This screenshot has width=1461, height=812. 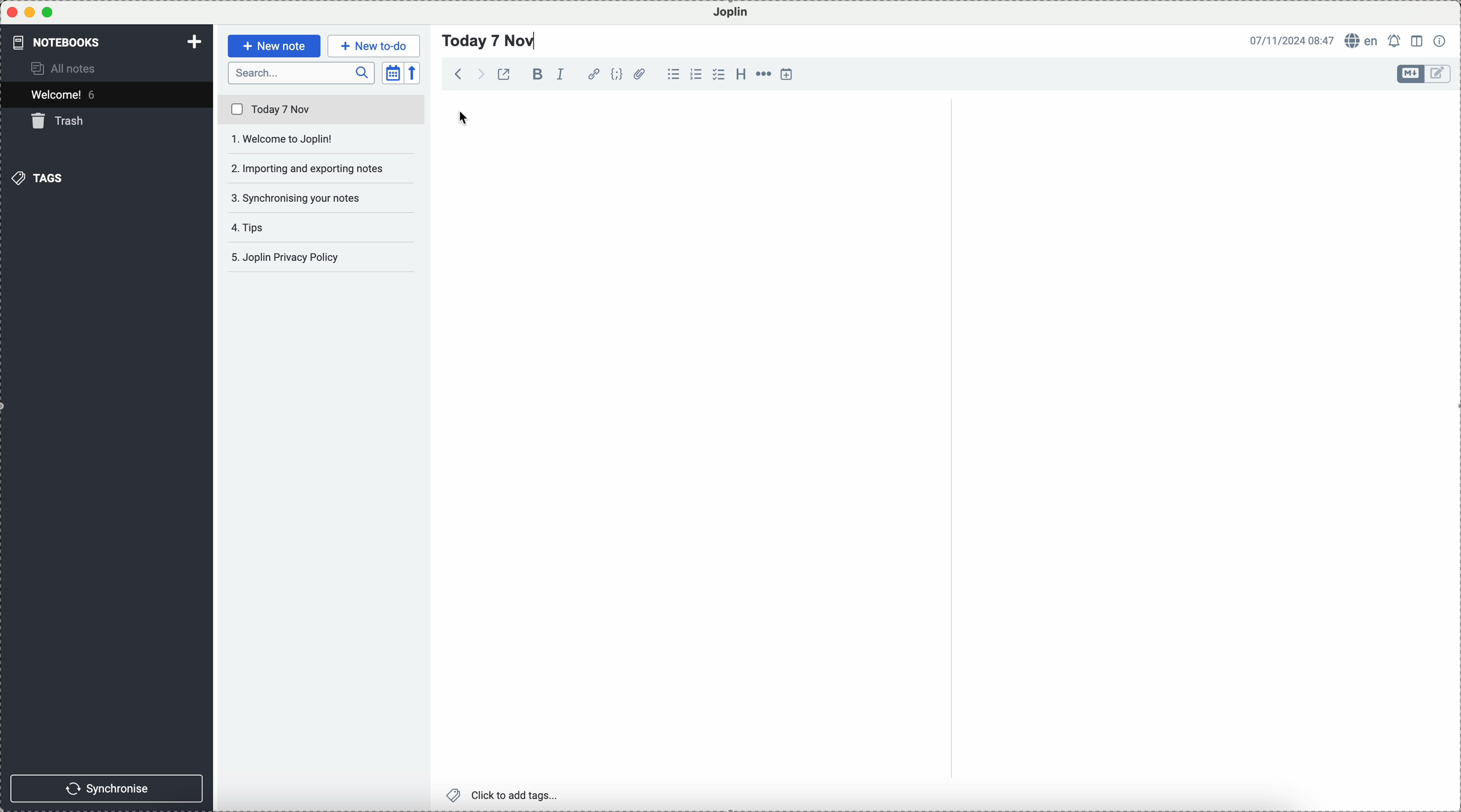 I want to click on checkbox, so click(x=718, y=74).